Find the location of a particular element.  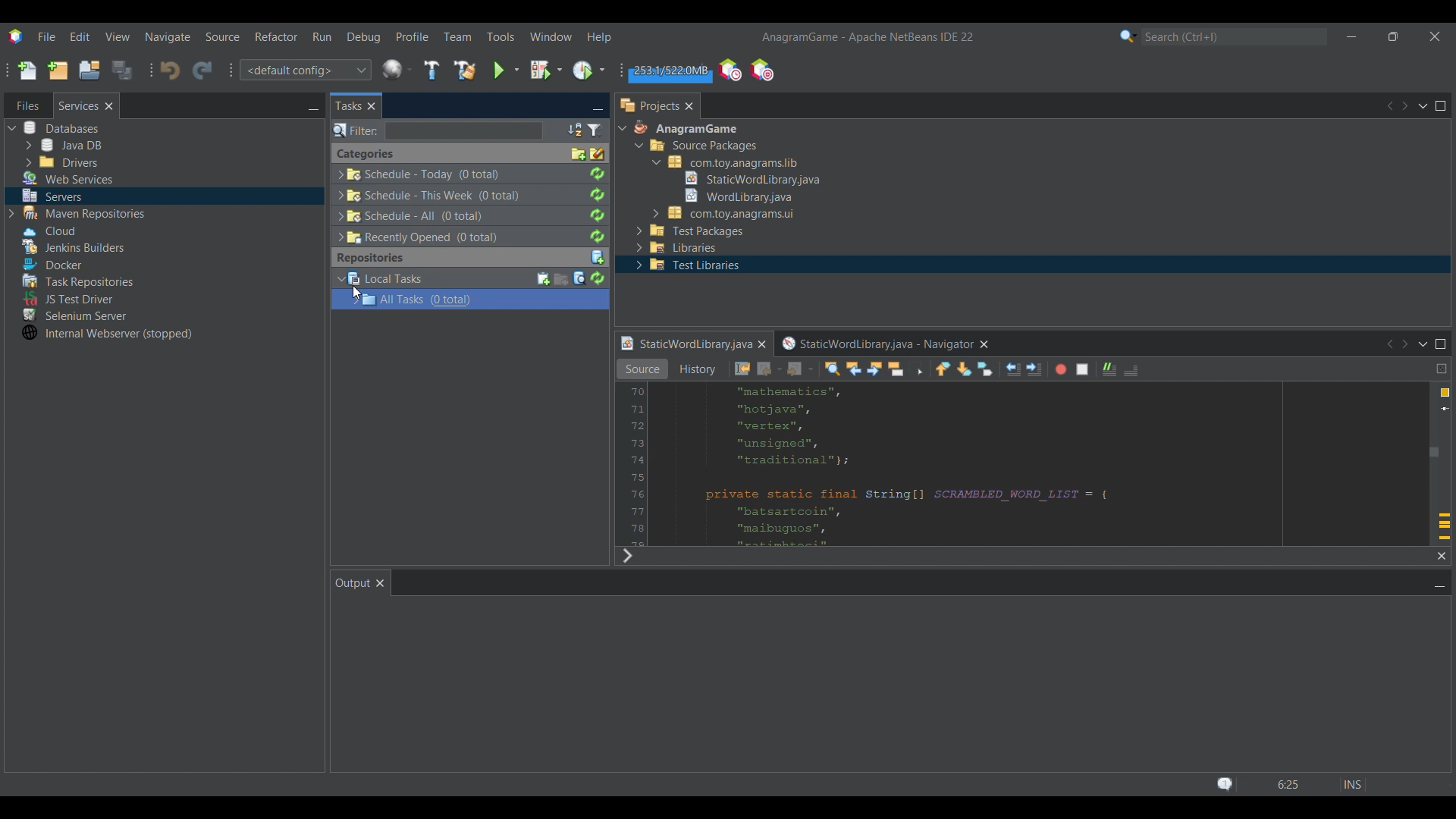

Navigate menu is located at coordinates (168, 37).